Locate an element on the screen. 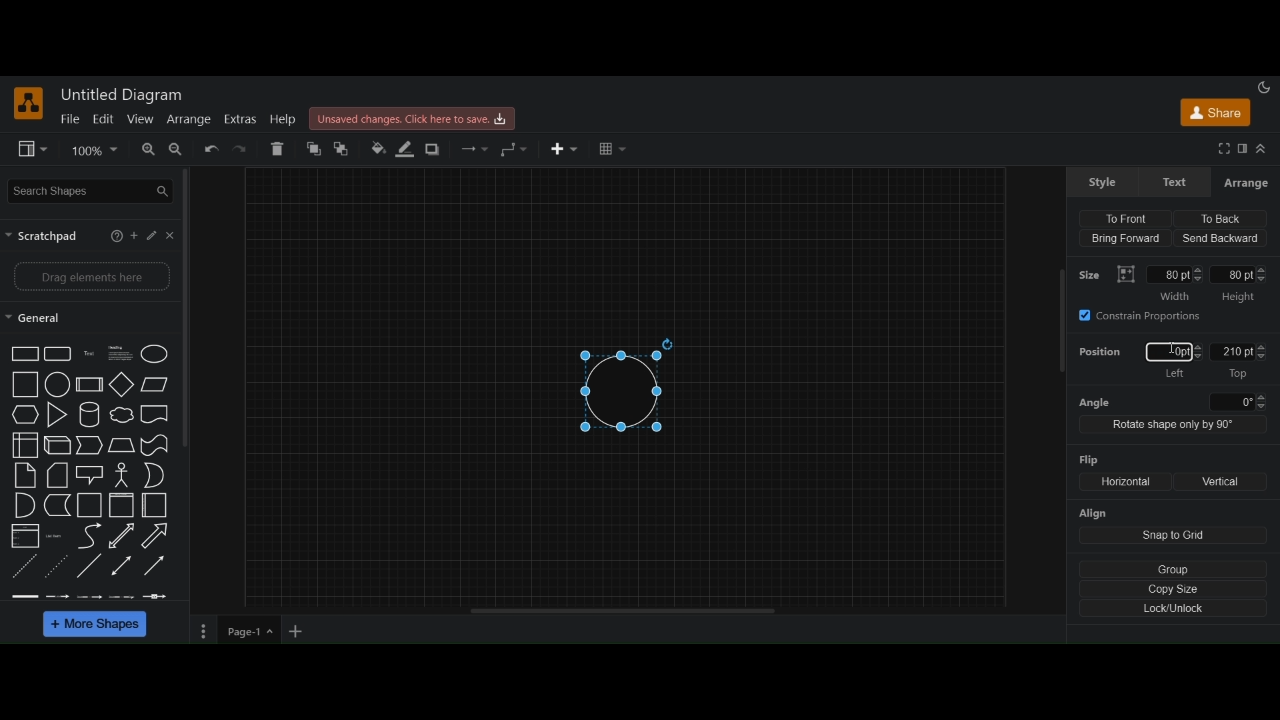 This screenshot has width=1280, height=720. redo is located at coordinates (243, 150).